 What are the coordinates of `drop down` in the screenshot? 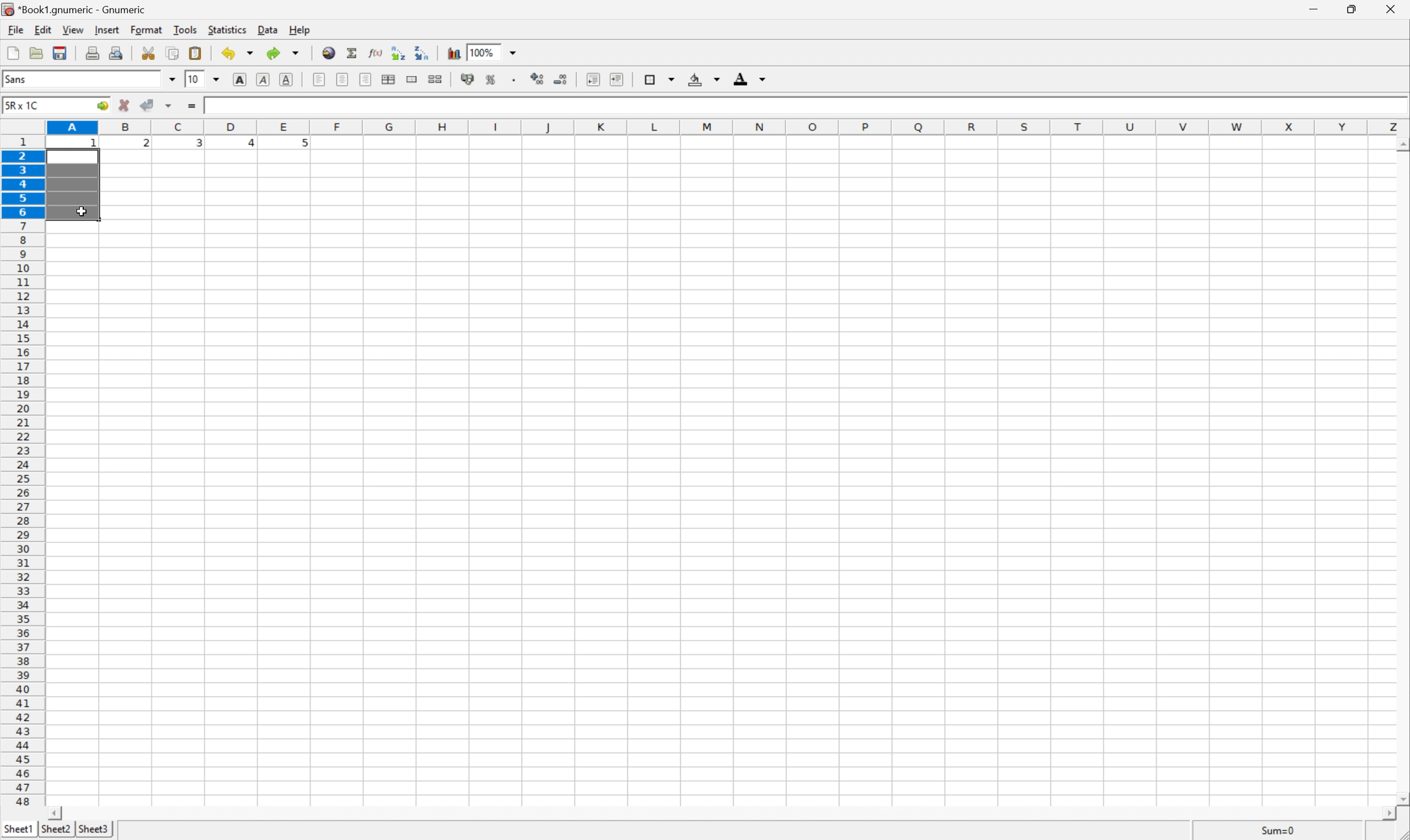 It's located at (172, 81).